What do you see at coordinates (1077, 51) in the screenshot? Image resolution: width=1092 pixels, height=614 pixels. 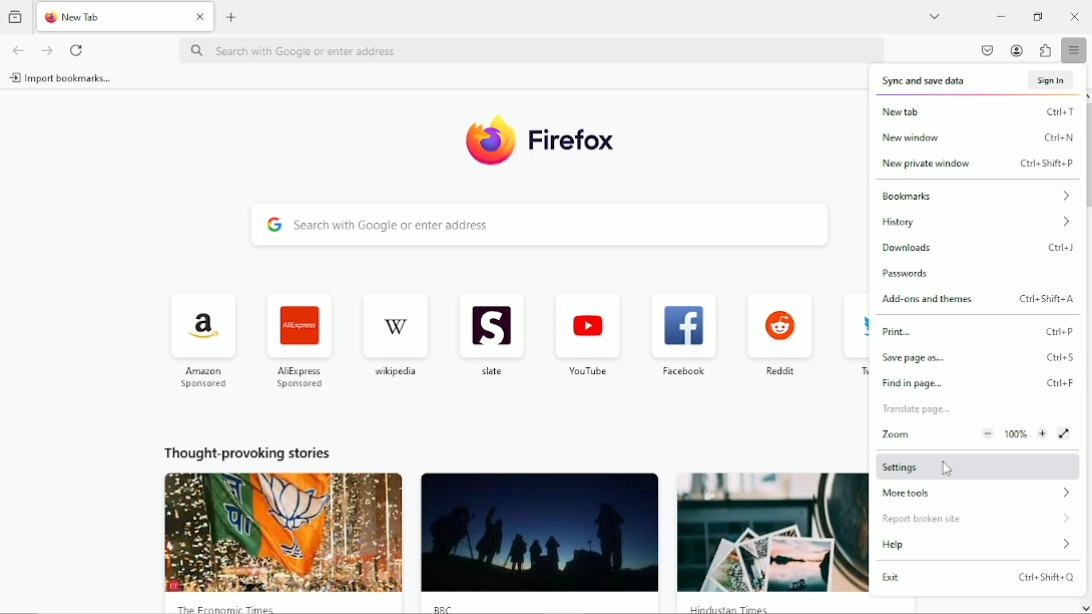 I see `open application menu` at bounding box center [1077, 51].